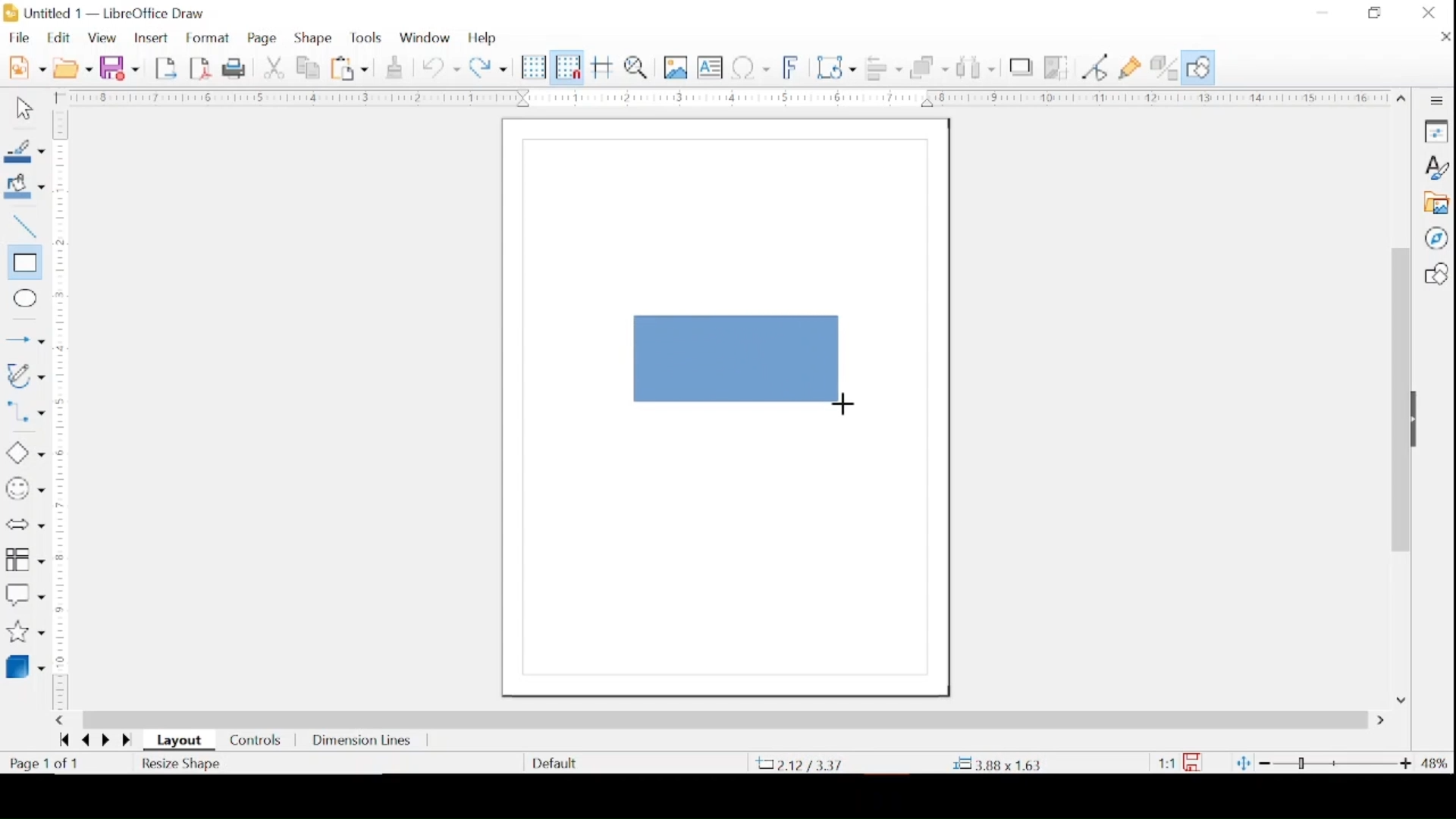  Describe the element at coordinates (1242, 763) in the screenshot. I see `fit to current window` at that location.